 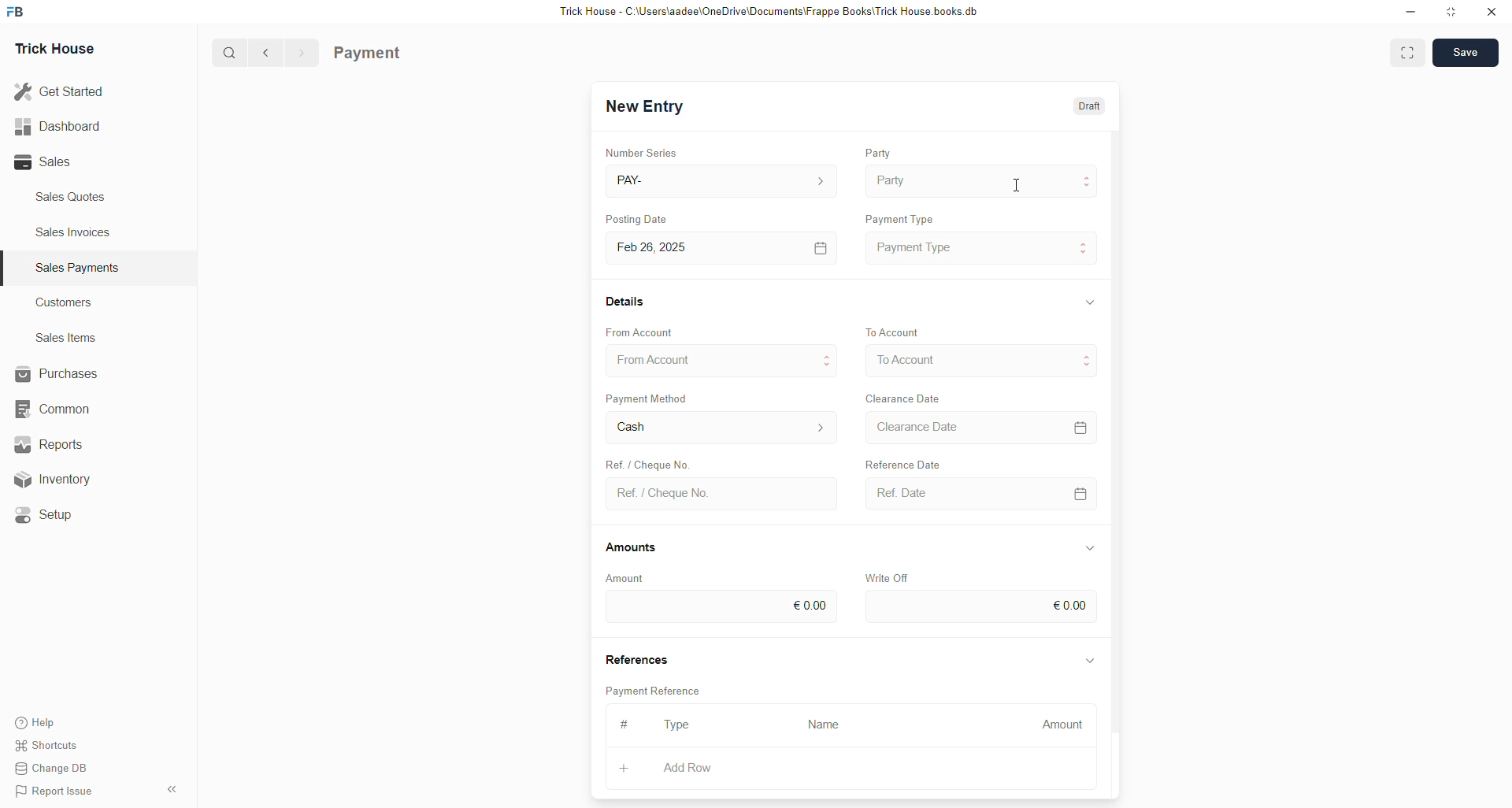 I want to click on Details, so click(x=627, y=301).